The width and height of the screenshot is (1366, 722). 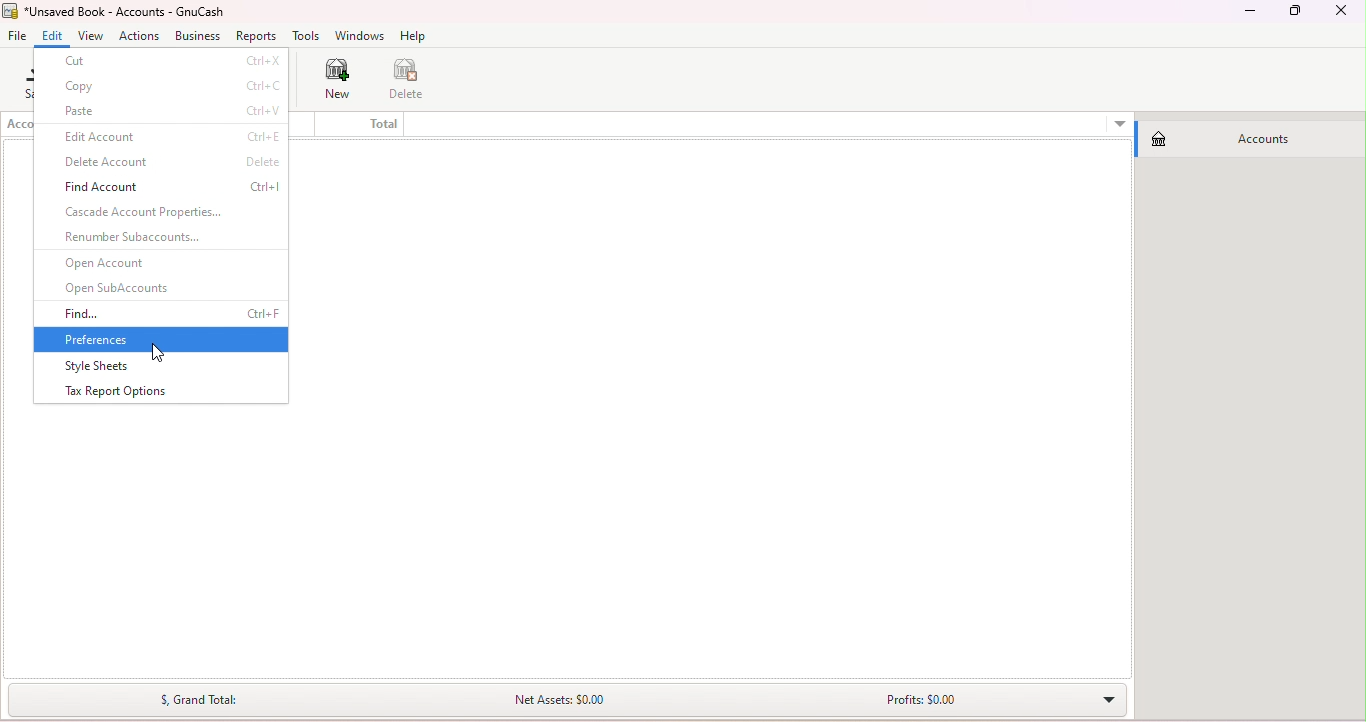 What do you see at coordinates (415, 32) in the screenshot?
I see `Help` at bounding box center [415, 32].